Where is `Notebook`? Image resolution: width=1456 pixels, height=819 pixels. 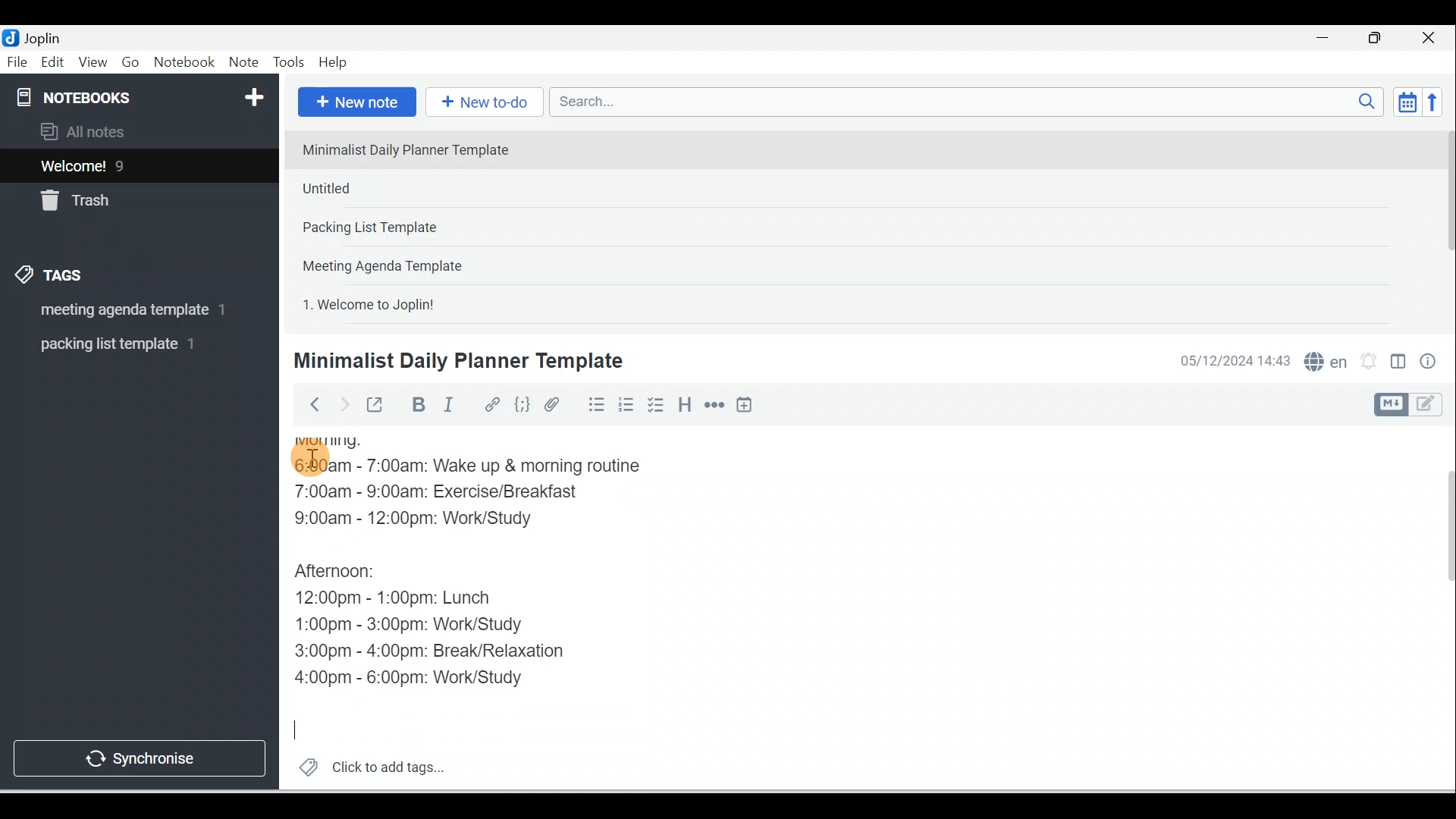
Notebook is located at coordinates (184, 63).